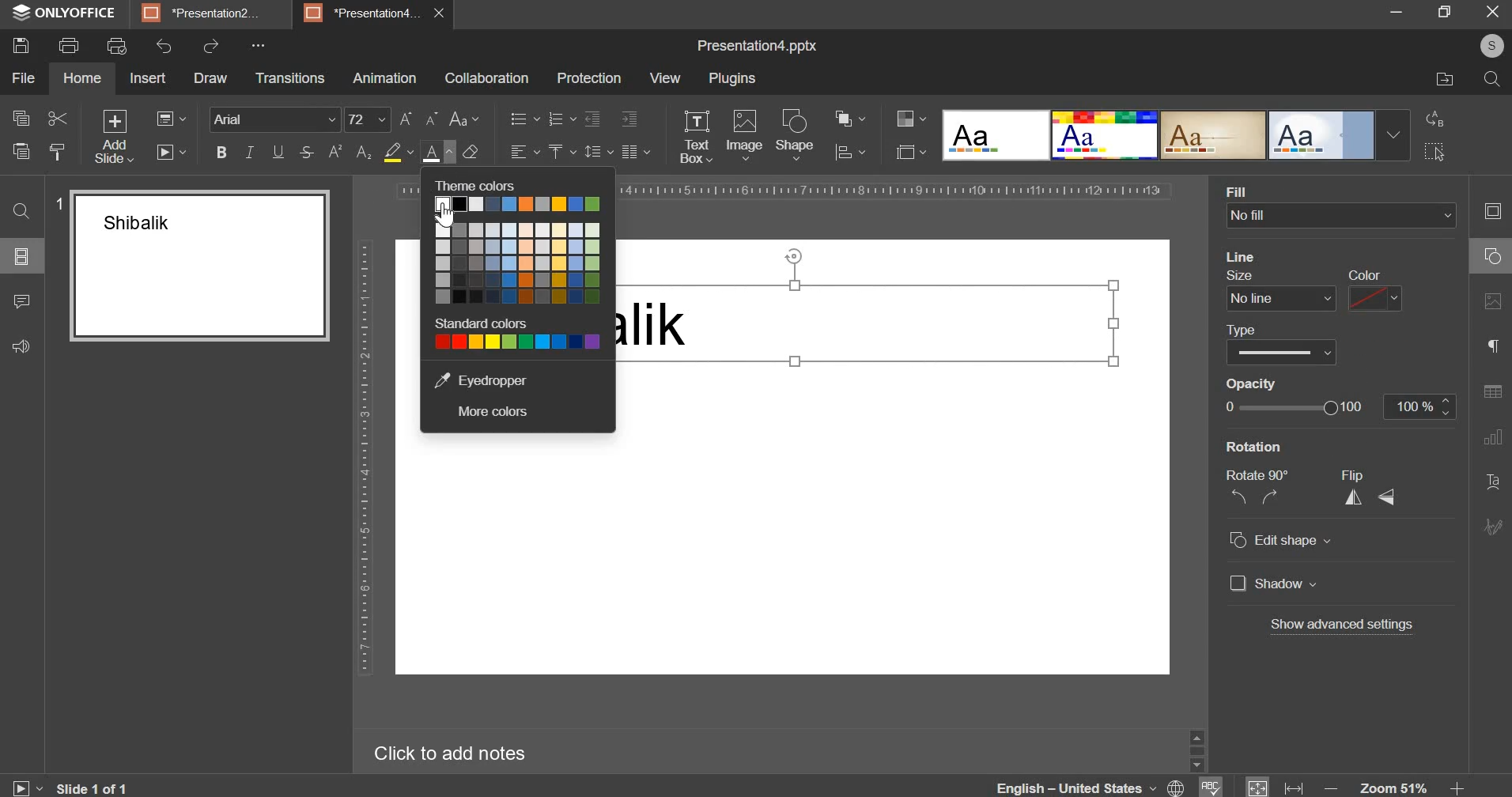 The image size is (1512, 797). What do you see at coordinates (524, 149) in the screenshot?
I see `horizontal alignment` at bounding box center [524, 149].